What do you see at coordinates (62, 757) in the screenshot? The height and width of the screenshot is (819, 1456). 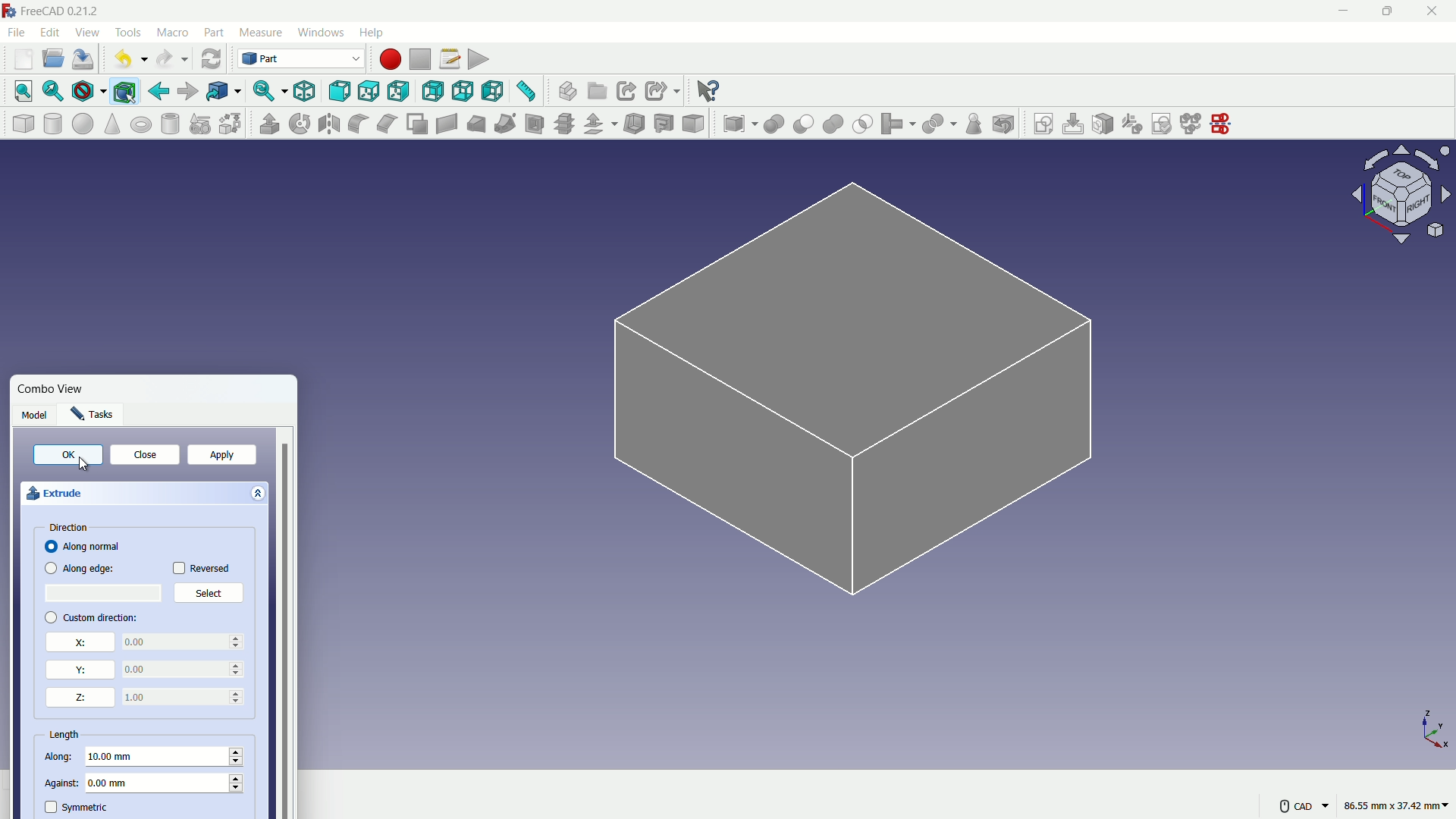 I see `along length` at bounding box center [62, 757].